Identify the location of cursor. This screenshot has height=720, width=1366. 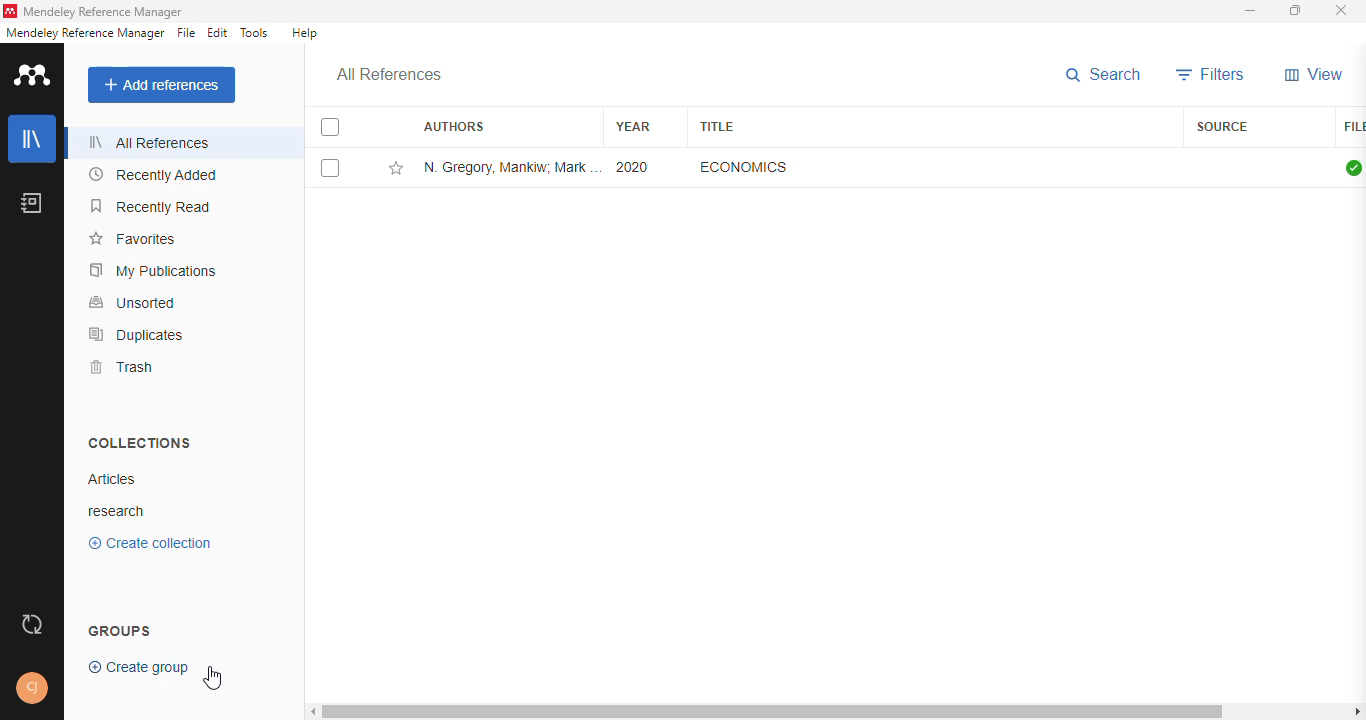
(213, 678).